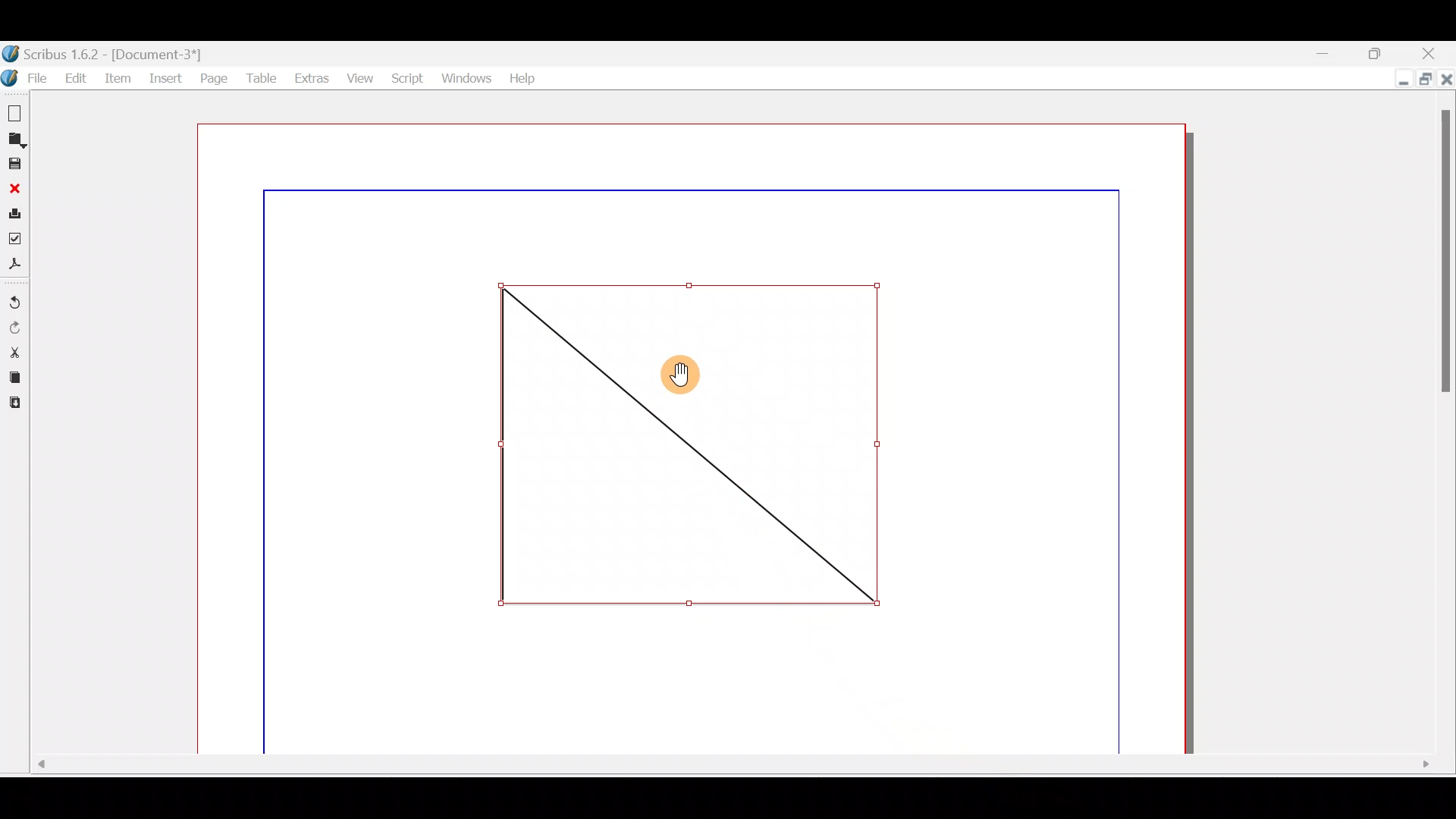 The image size is (1456, 819). Describe the element at coordinates (14, 163) in the screenshot. I see `Save` at that location.